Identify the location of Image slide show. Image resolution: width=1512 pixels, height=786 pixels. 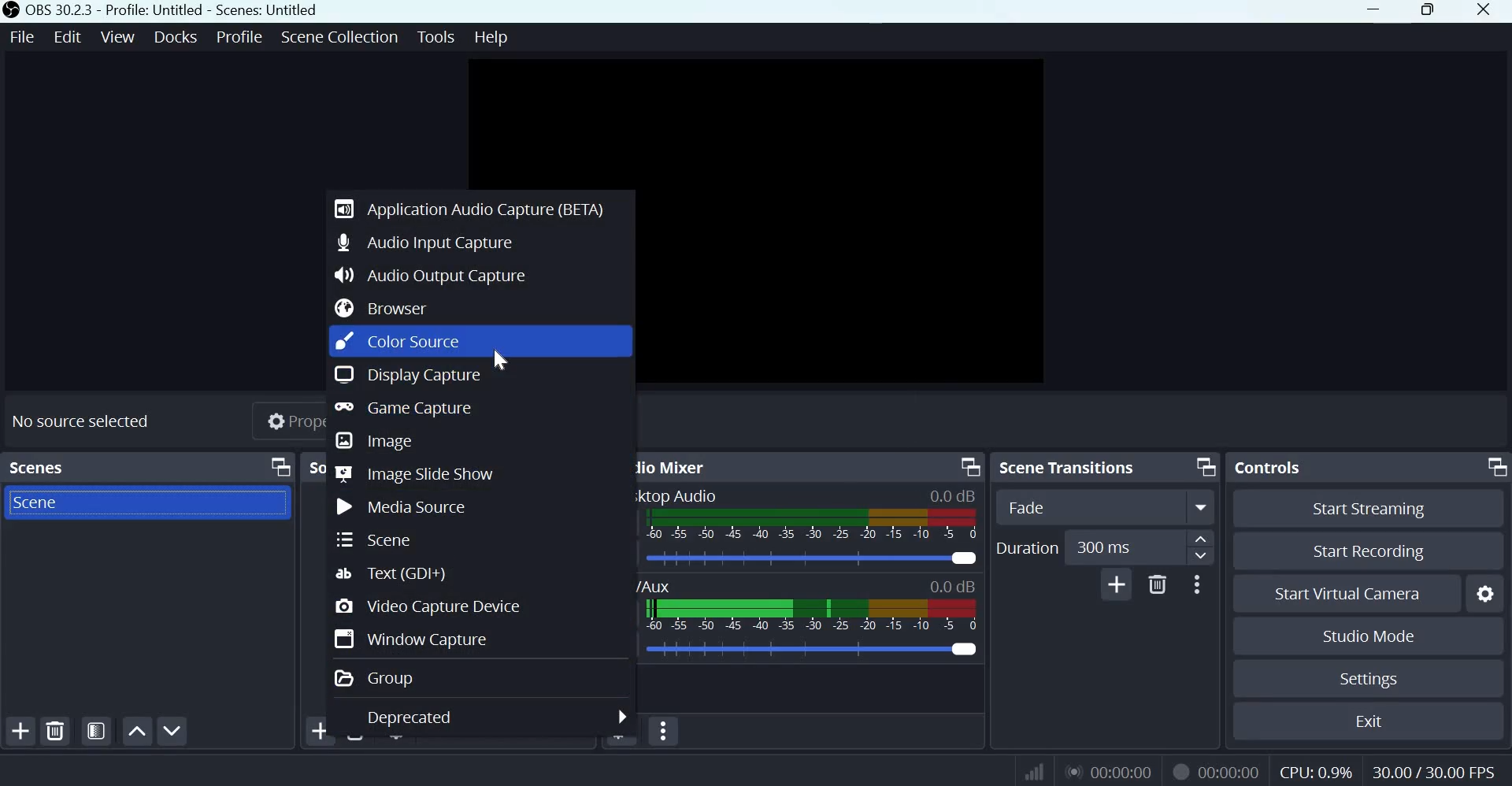
(416, 473).